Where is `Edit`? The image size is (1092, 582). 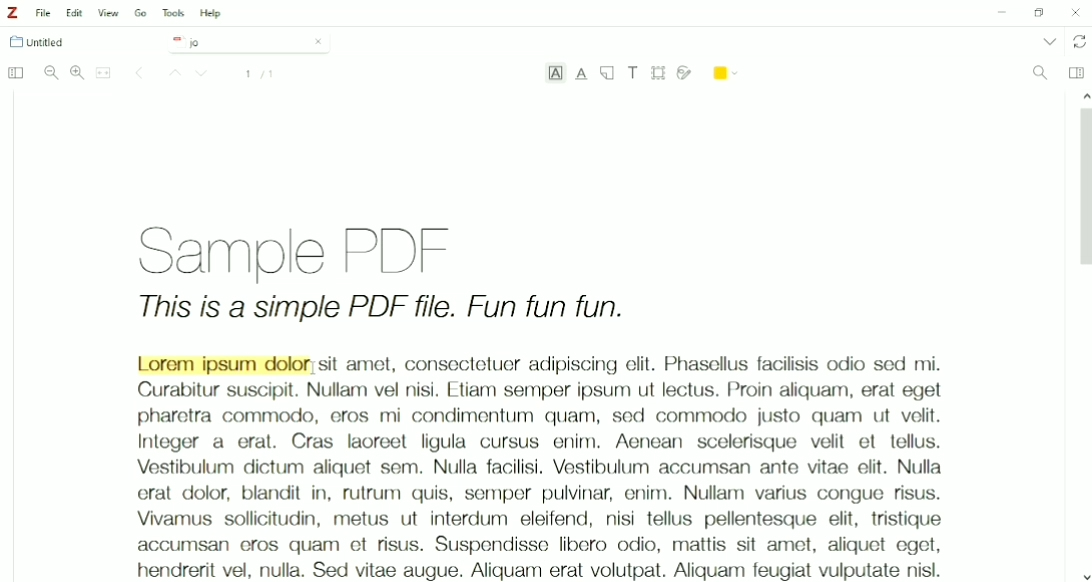
Edit is located at coordinates (76, 13).